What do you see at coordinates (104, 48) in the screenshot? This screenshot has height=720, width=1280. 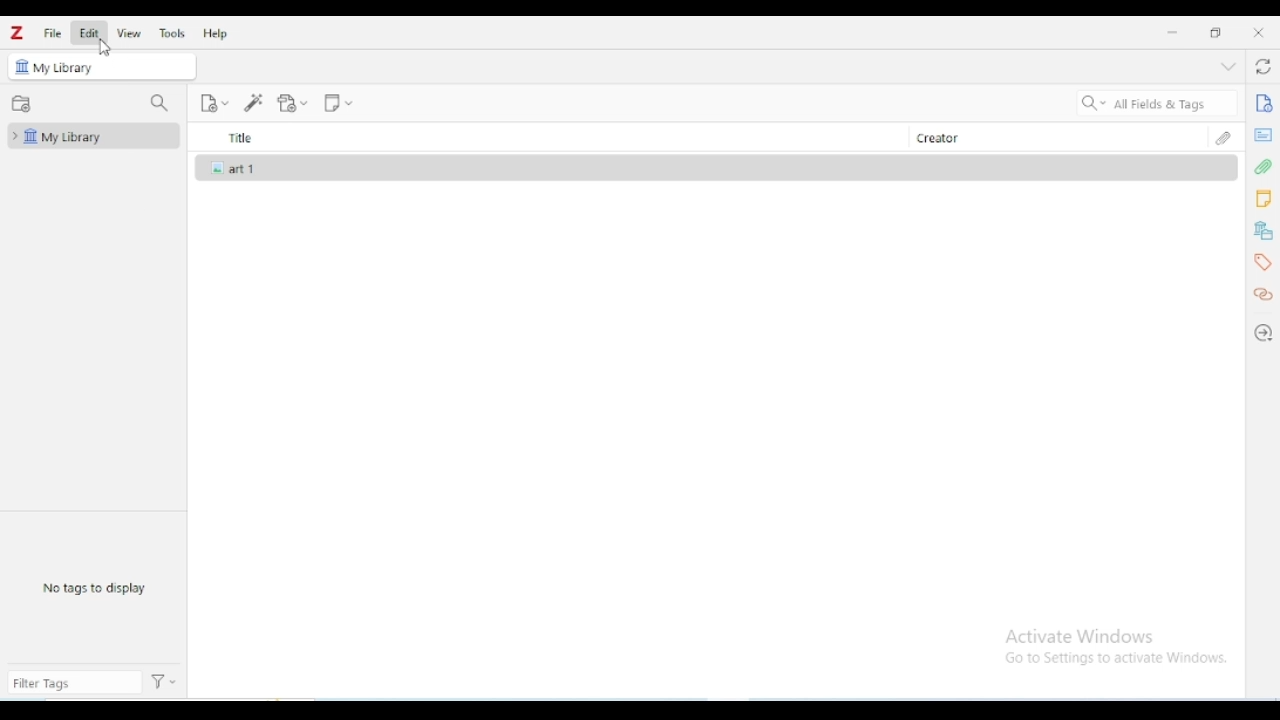 I see `cursor` at bounding box center [104, 48].